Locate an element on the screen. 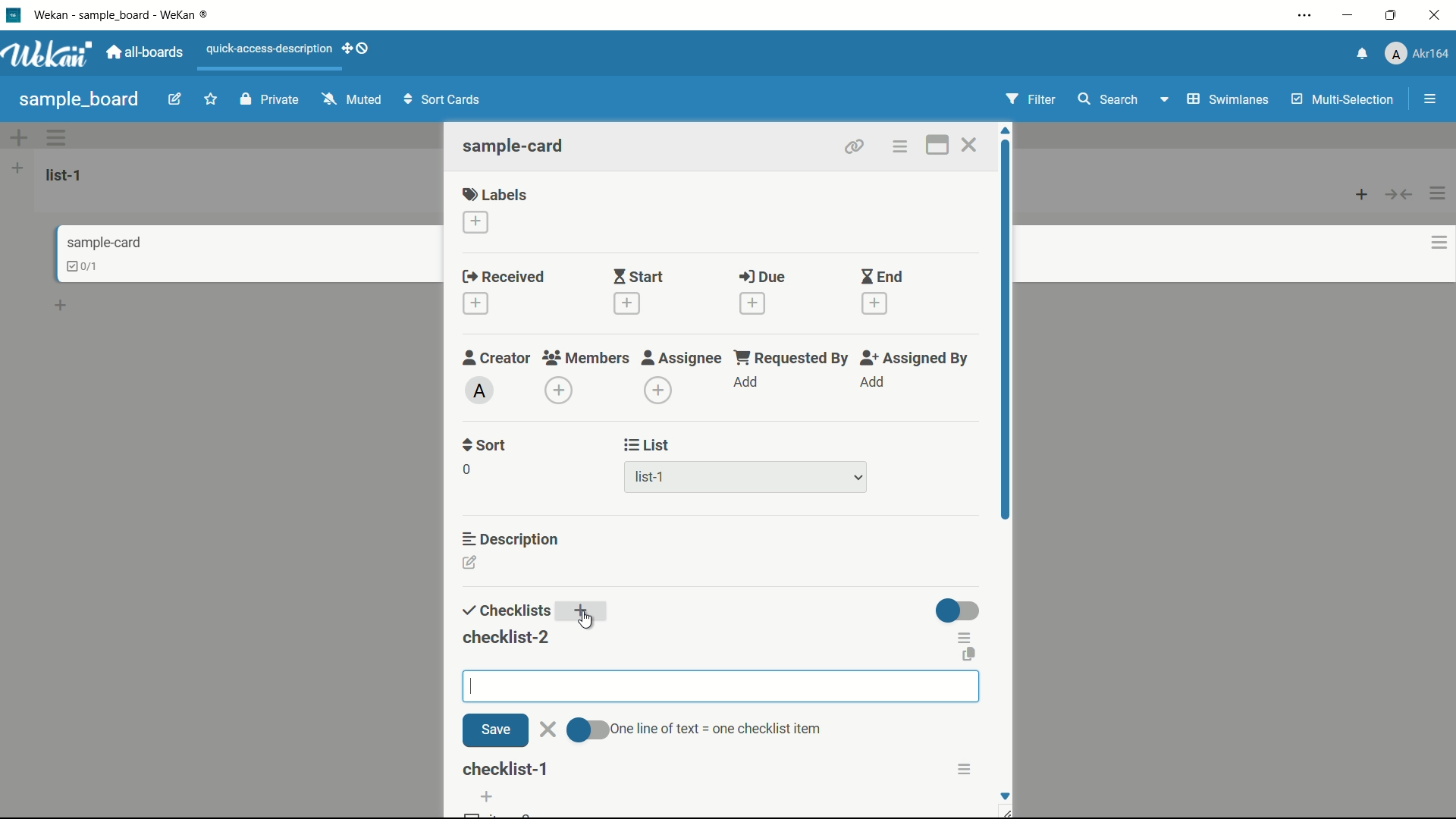 This screenshot has width=1456, height=819. card name is located at coordinates (515, 146).